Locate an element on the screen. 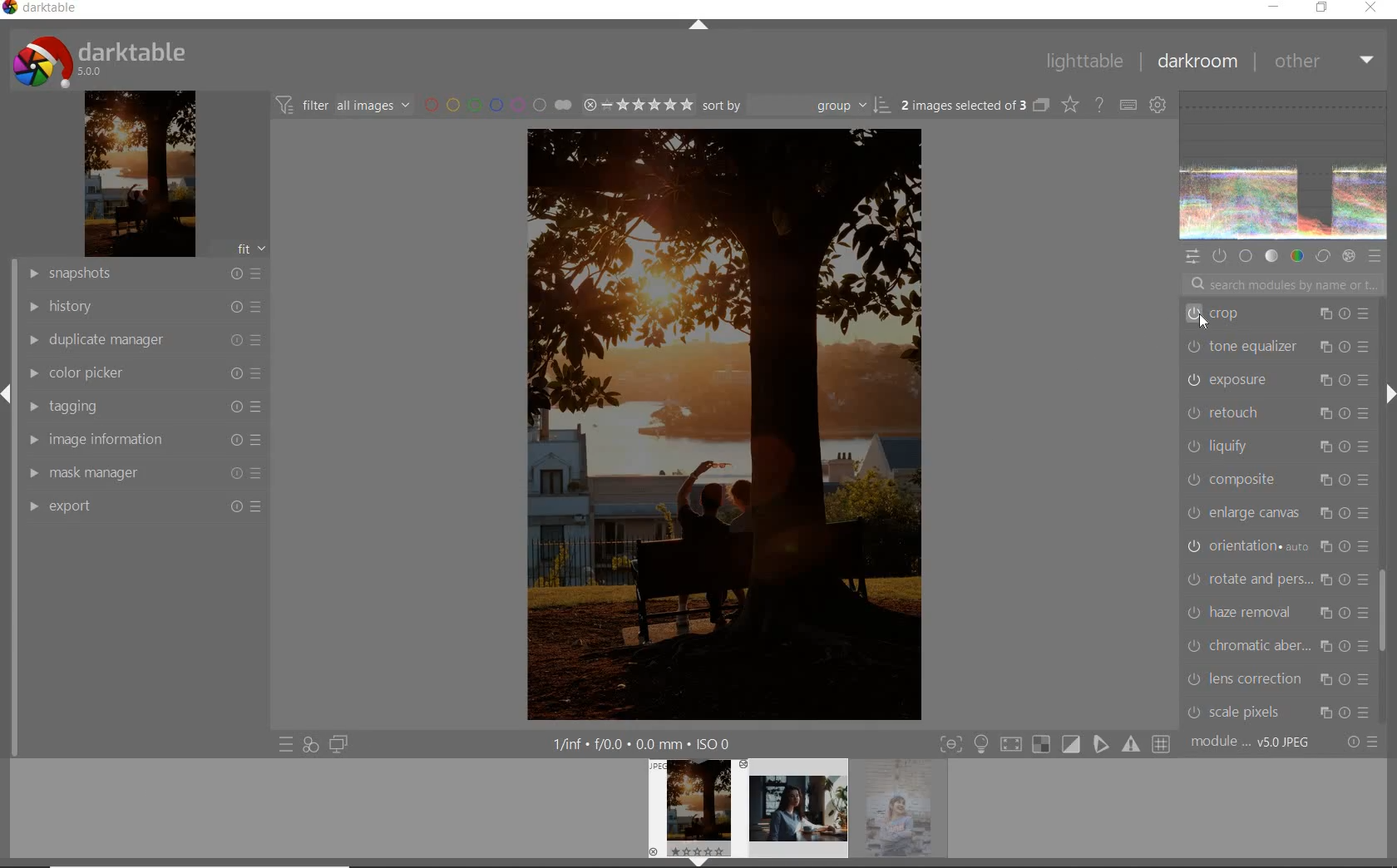 The image size is (1397, 868). sort is located at coordinates (797, 106).